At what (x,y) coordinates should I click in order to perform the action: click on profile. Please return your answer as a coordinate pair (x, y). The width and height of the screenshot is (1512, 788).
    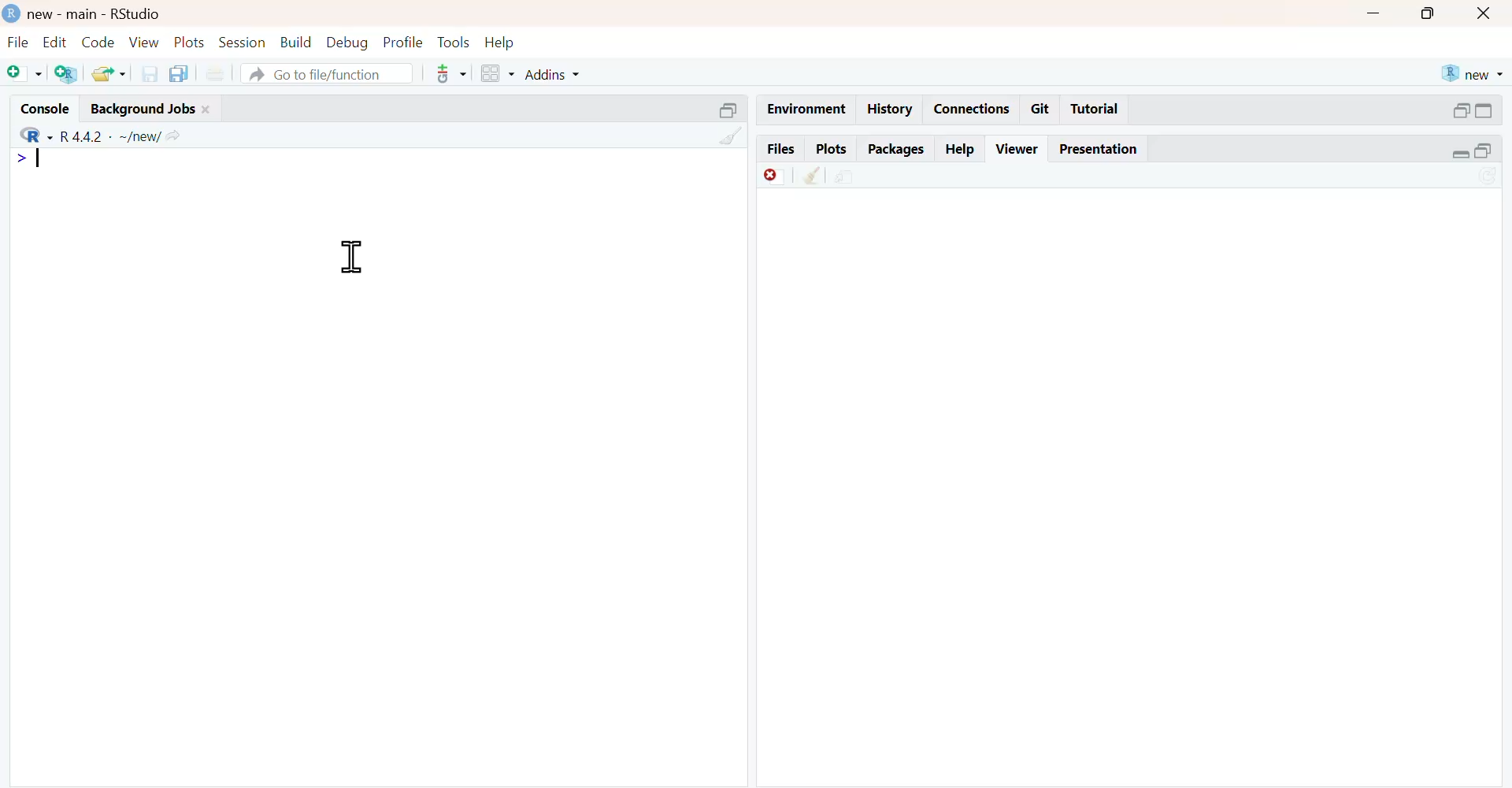
    Looking at the image, I should click on (404, 42).